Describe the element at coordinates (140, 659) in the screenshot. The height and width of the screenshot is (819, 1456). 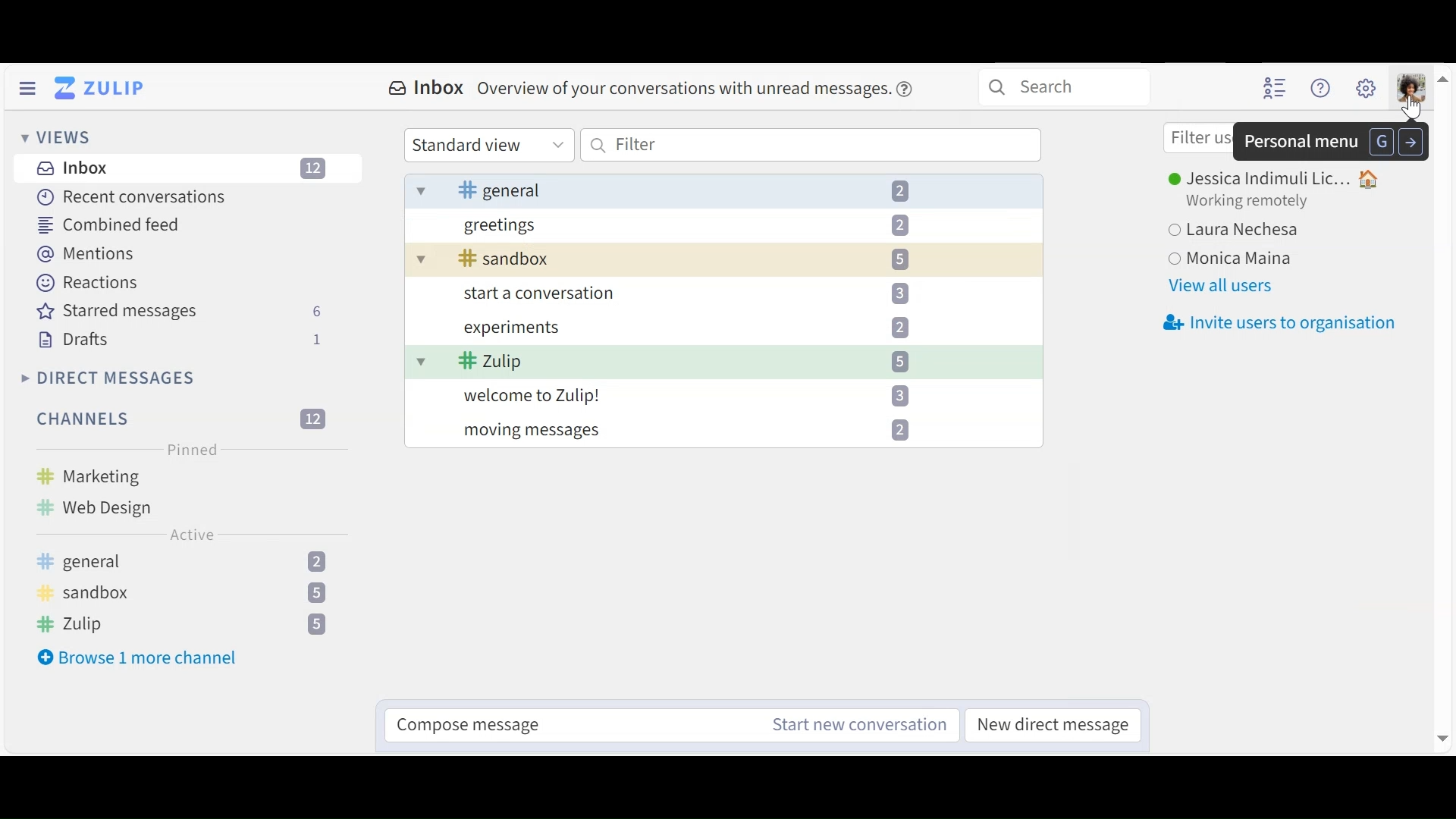
I see `Browse more channels` at that location.